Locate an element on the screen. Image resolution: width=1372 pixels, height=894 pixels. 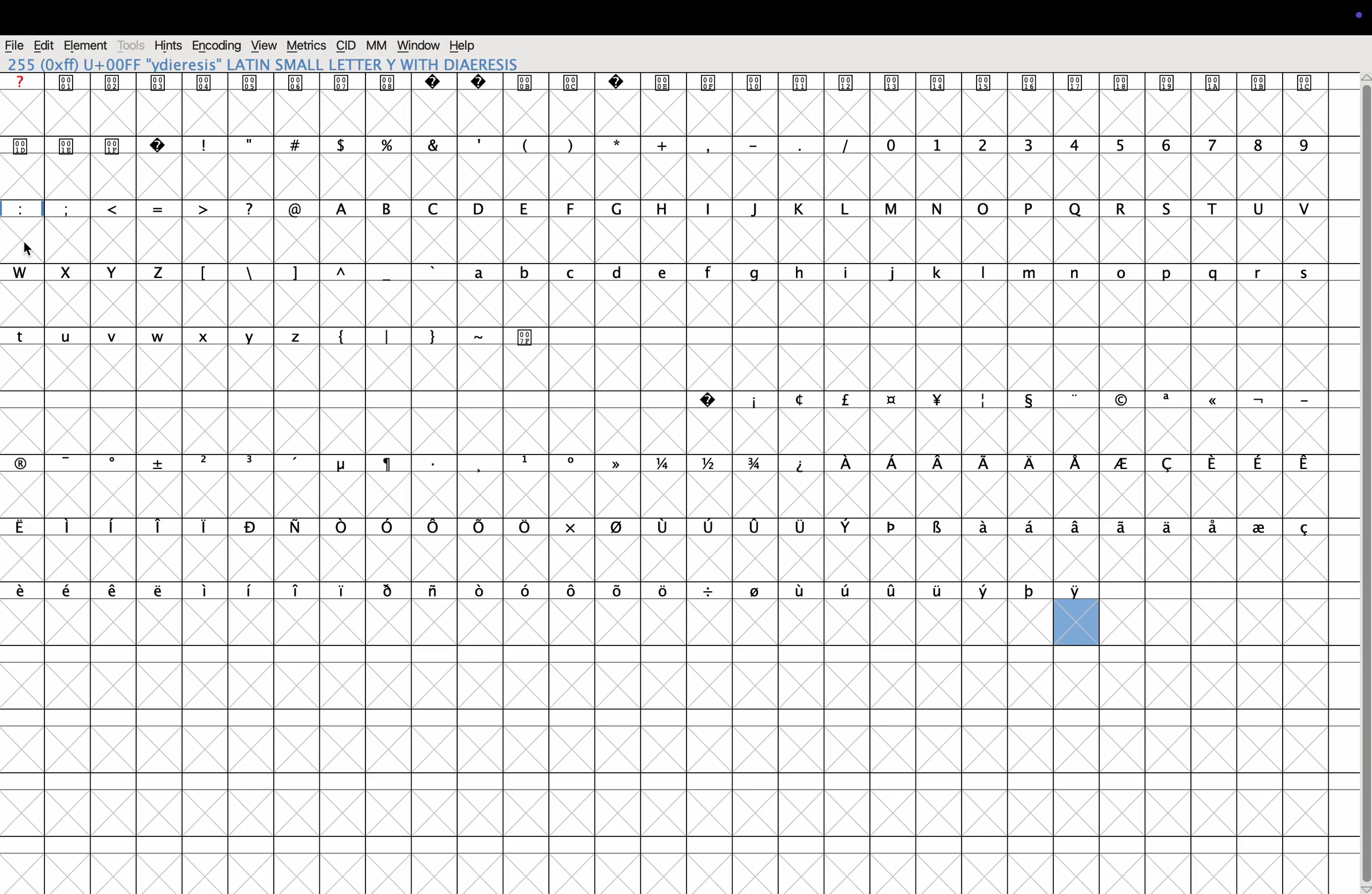
 is located at coordinates (1212, 167).